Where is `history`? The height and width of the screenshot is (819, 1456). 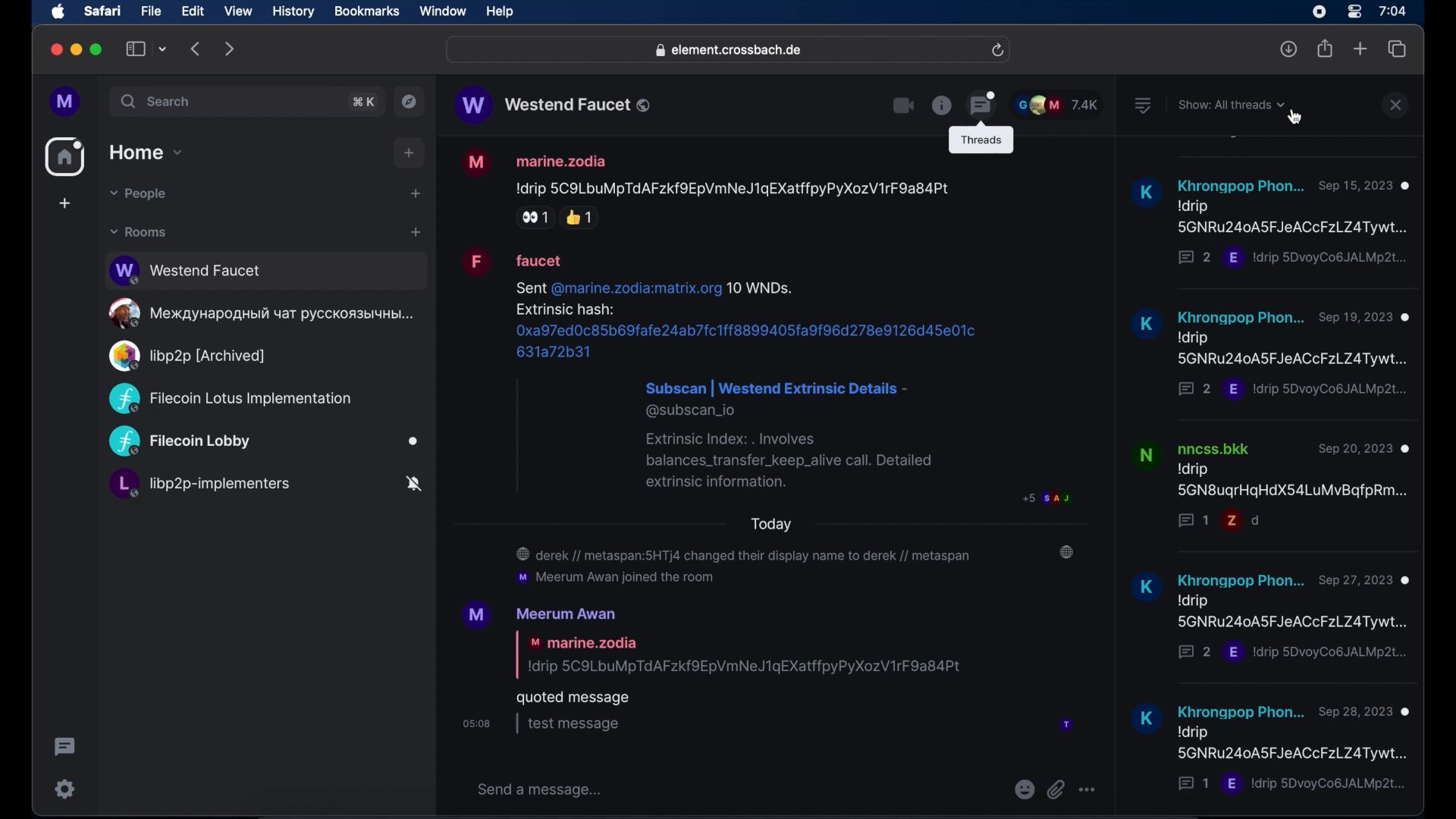 history is located at coordinates (293, 11).